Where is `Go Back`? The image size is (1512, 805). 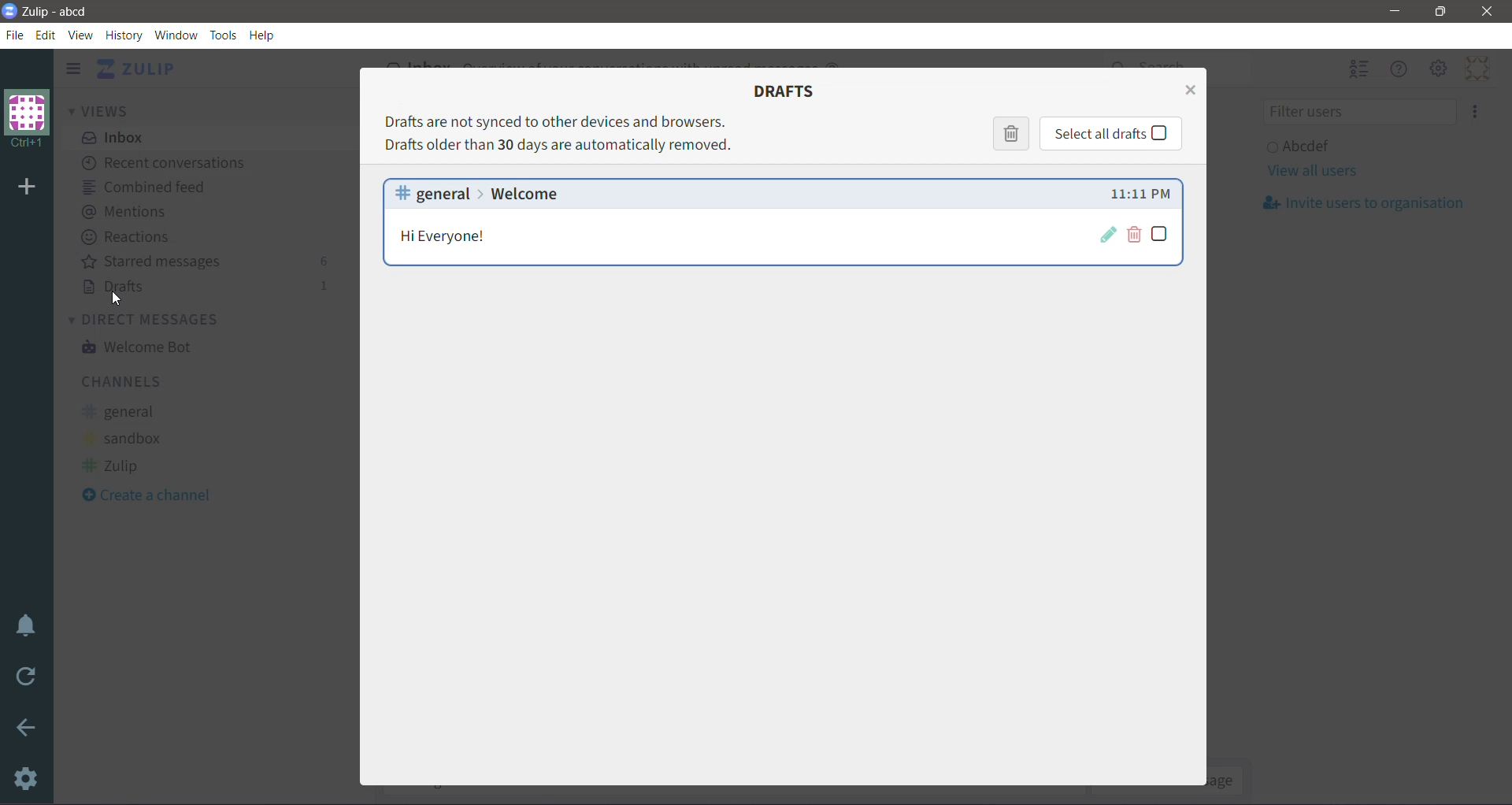
Go Back is located at coordinates (27, 727).